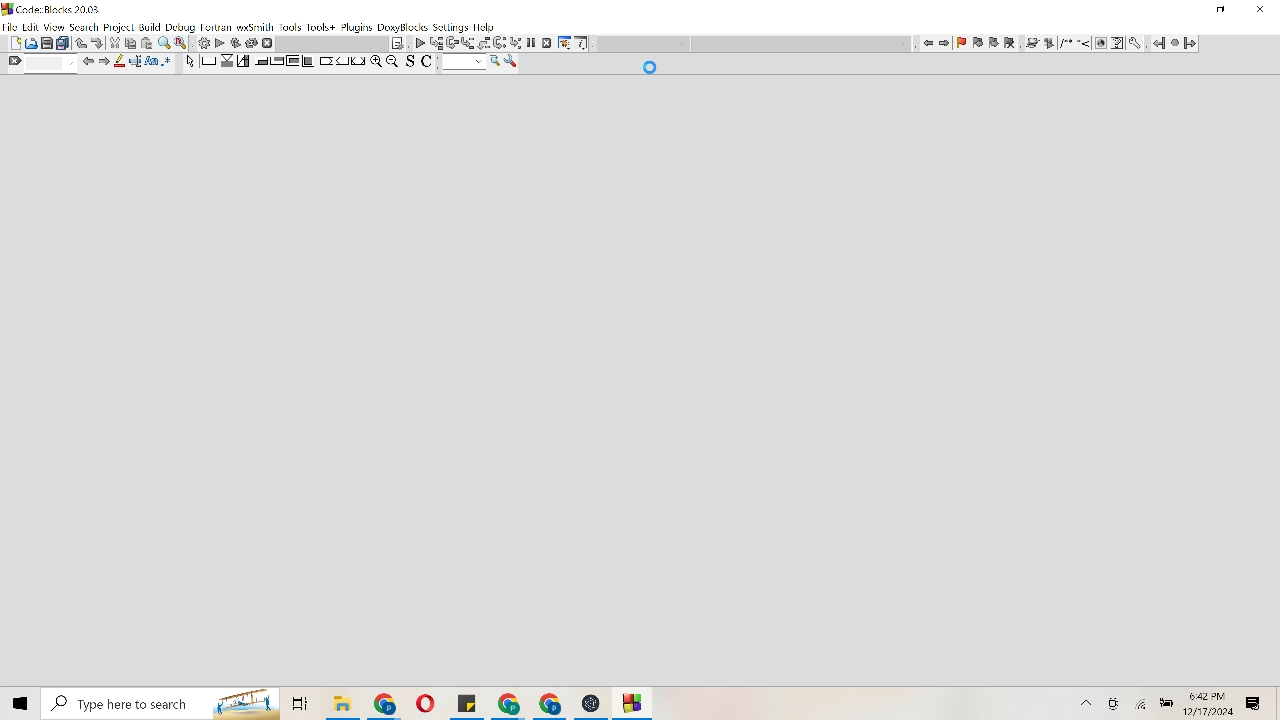 The image size is (1280, 720). Describe the element at coordinates (928, 42) in the screenshot. I see `Move left` at that location.